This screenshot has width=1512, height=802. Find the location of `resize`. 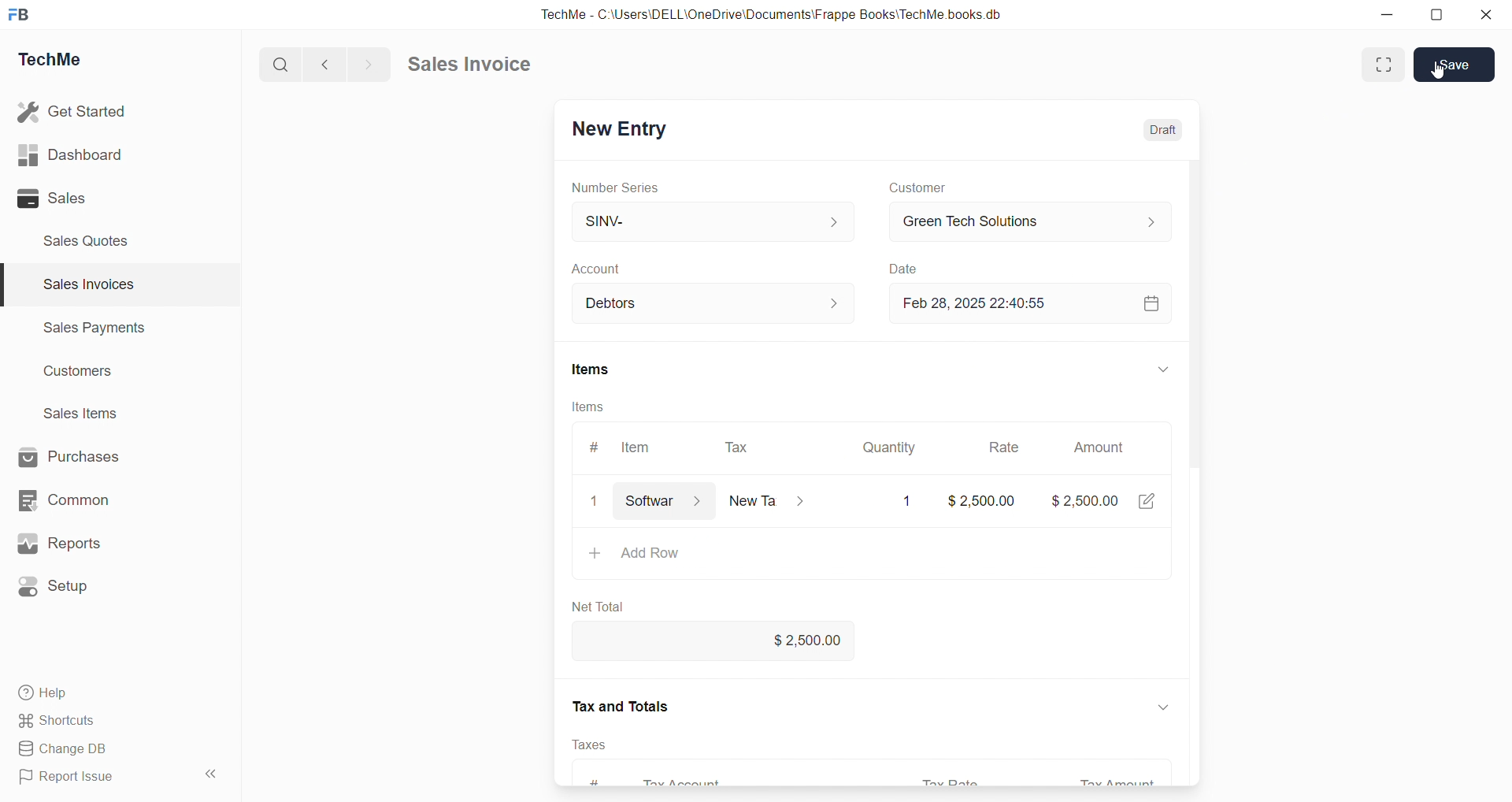

resize is located at coordinates (1436, 16).